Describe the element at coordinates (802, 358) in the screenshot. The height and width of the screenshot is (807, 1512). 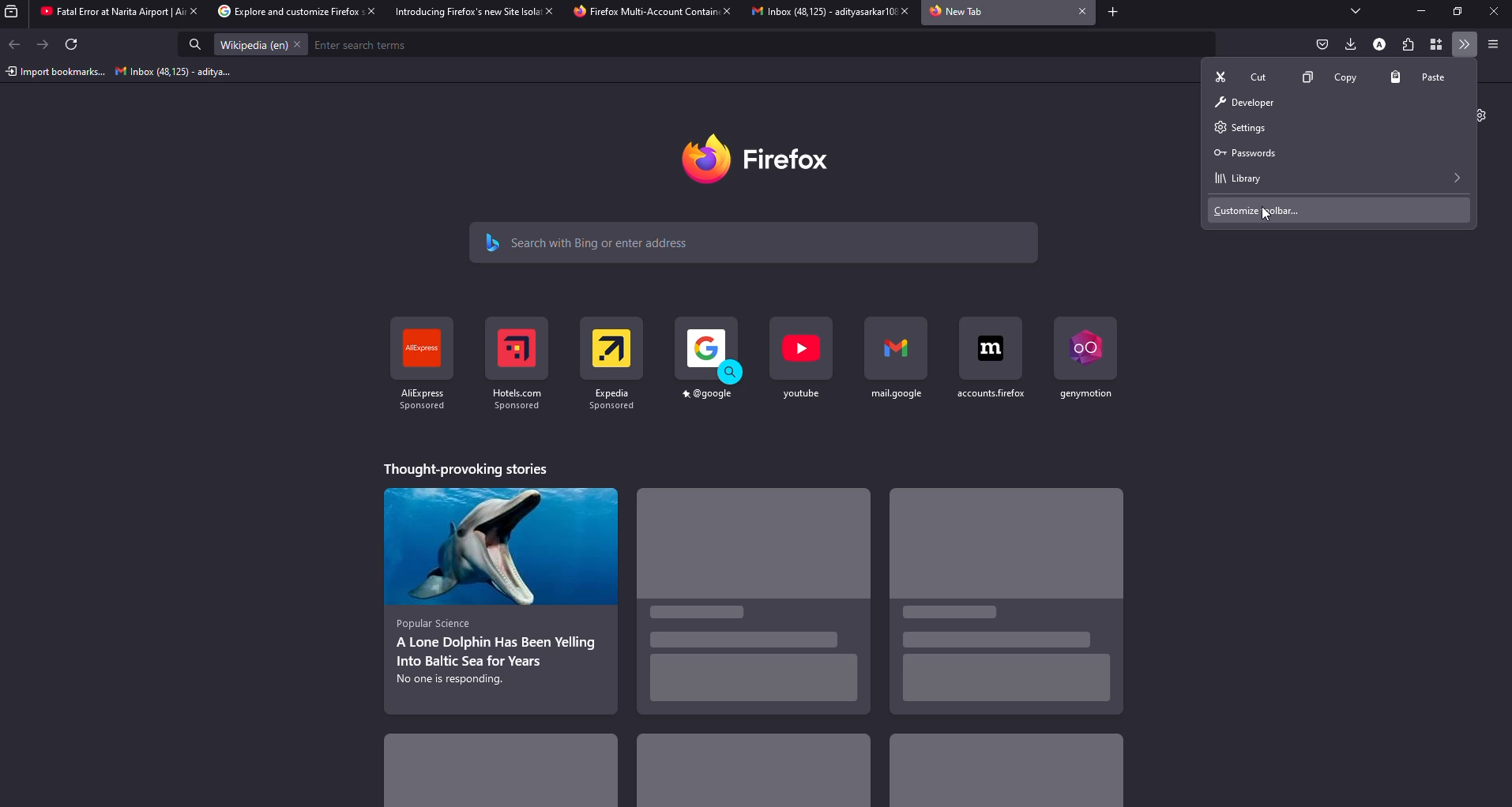
I see `shortcut` at that location.